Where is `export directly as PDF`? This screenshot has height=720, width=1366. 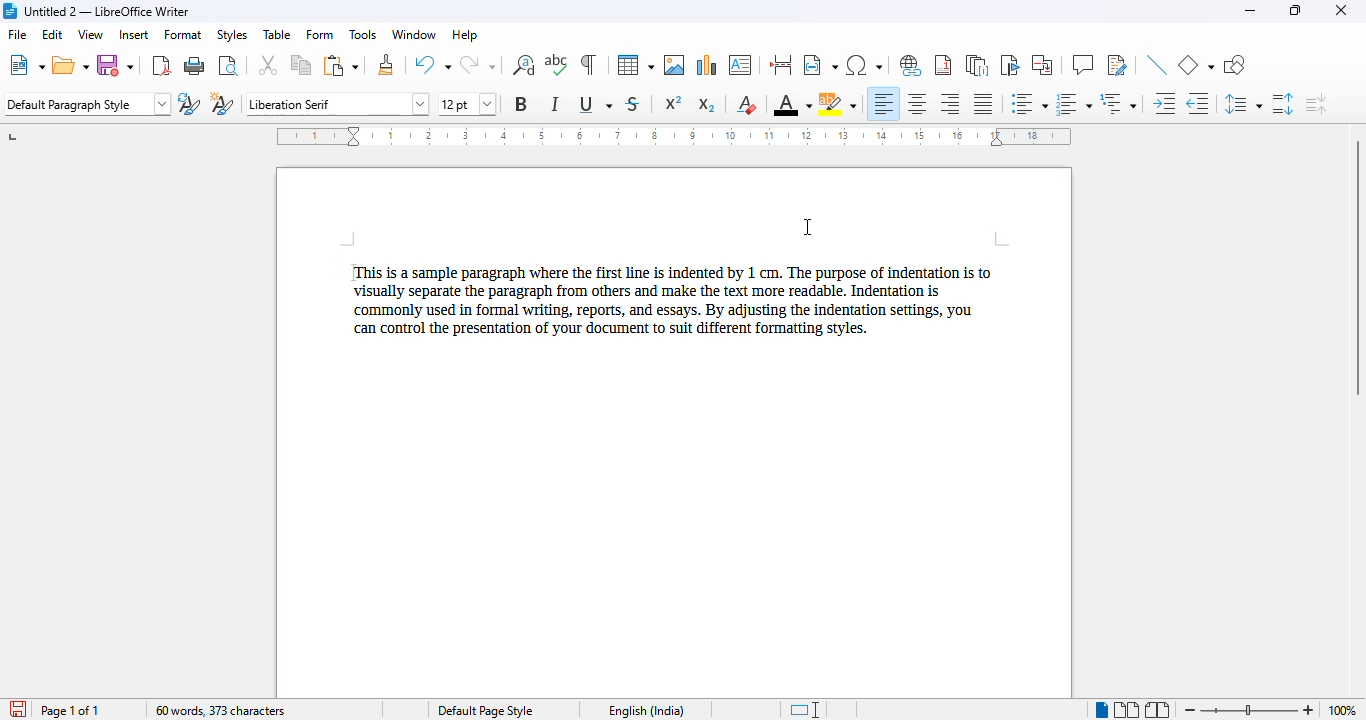
export directly as PDF is located at coordinates (162, 65).